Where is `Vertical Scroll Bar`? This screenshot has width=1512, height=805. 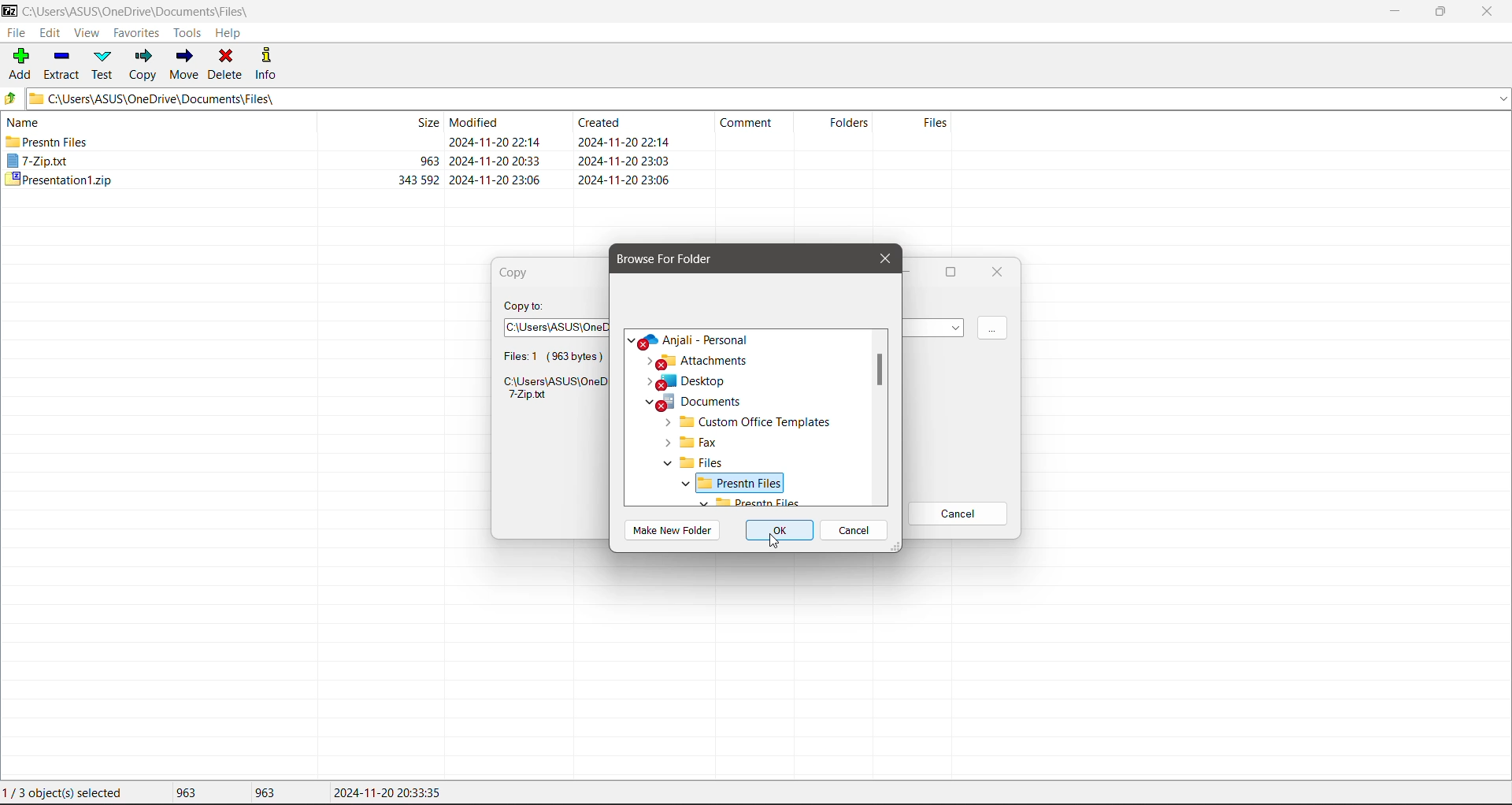 Vertical Scroll Bar is located at coordinates (879, 418).